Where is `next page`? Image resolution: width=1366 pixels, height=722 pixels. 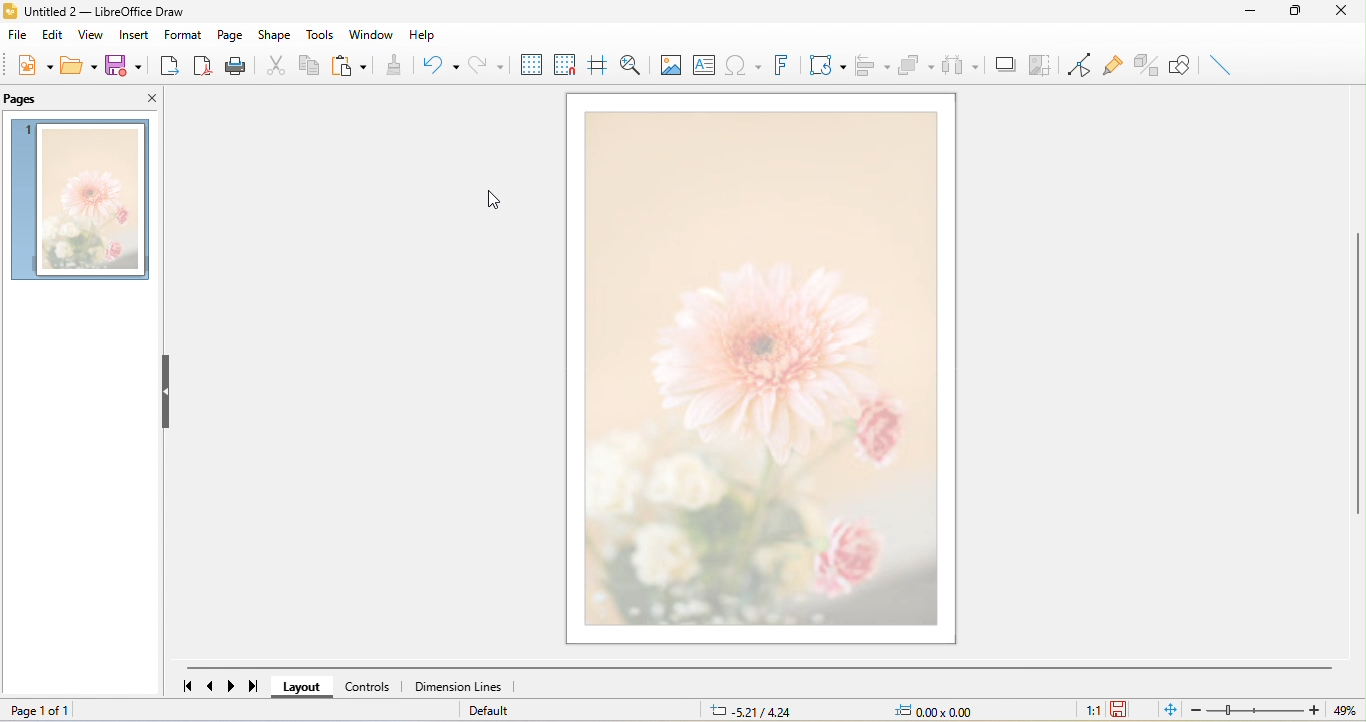
next page is located at coordinates (229, 686).